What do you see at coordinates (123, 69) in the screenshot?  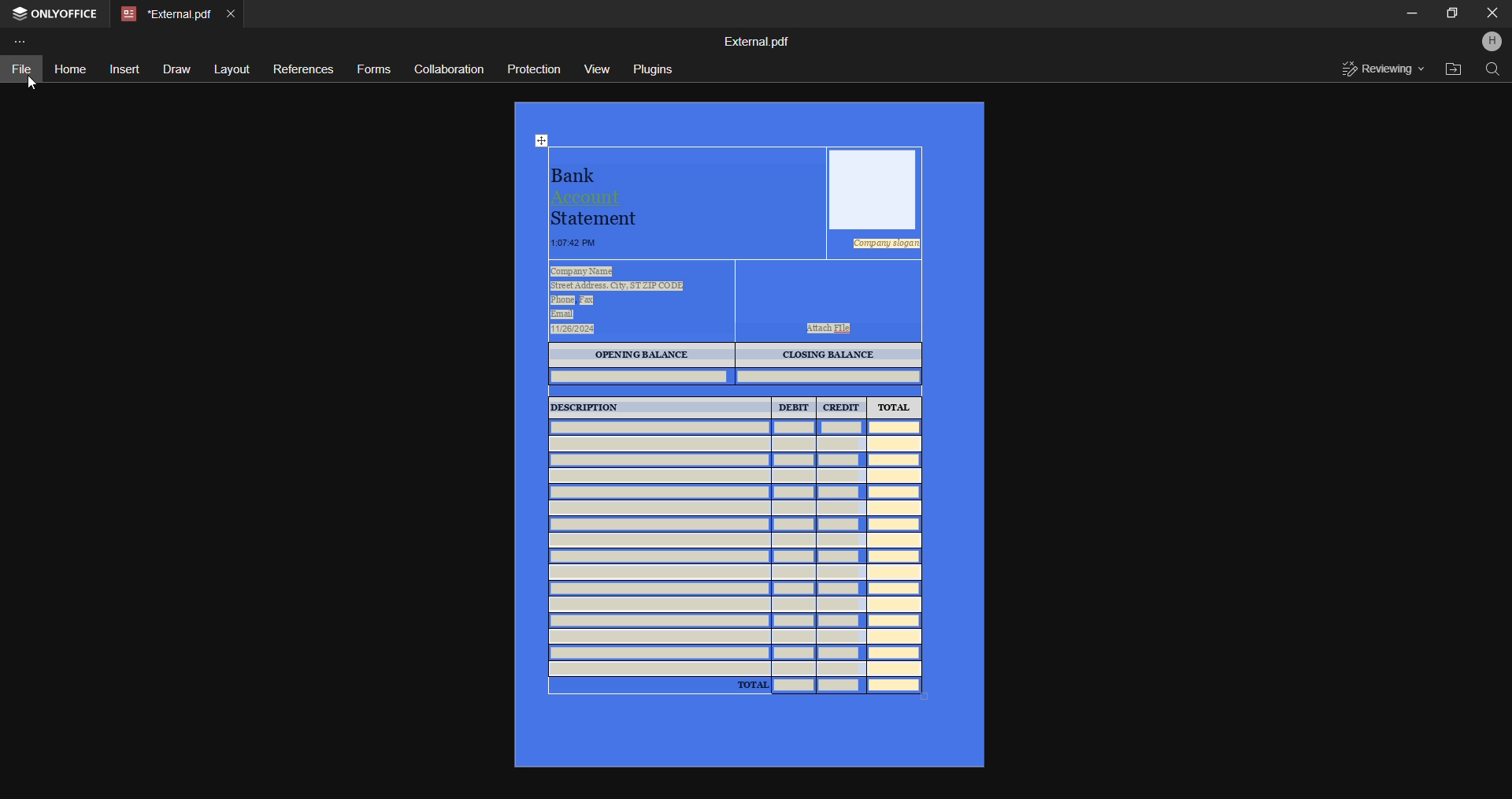 I see `Insert` at bounding box center [123, 69].